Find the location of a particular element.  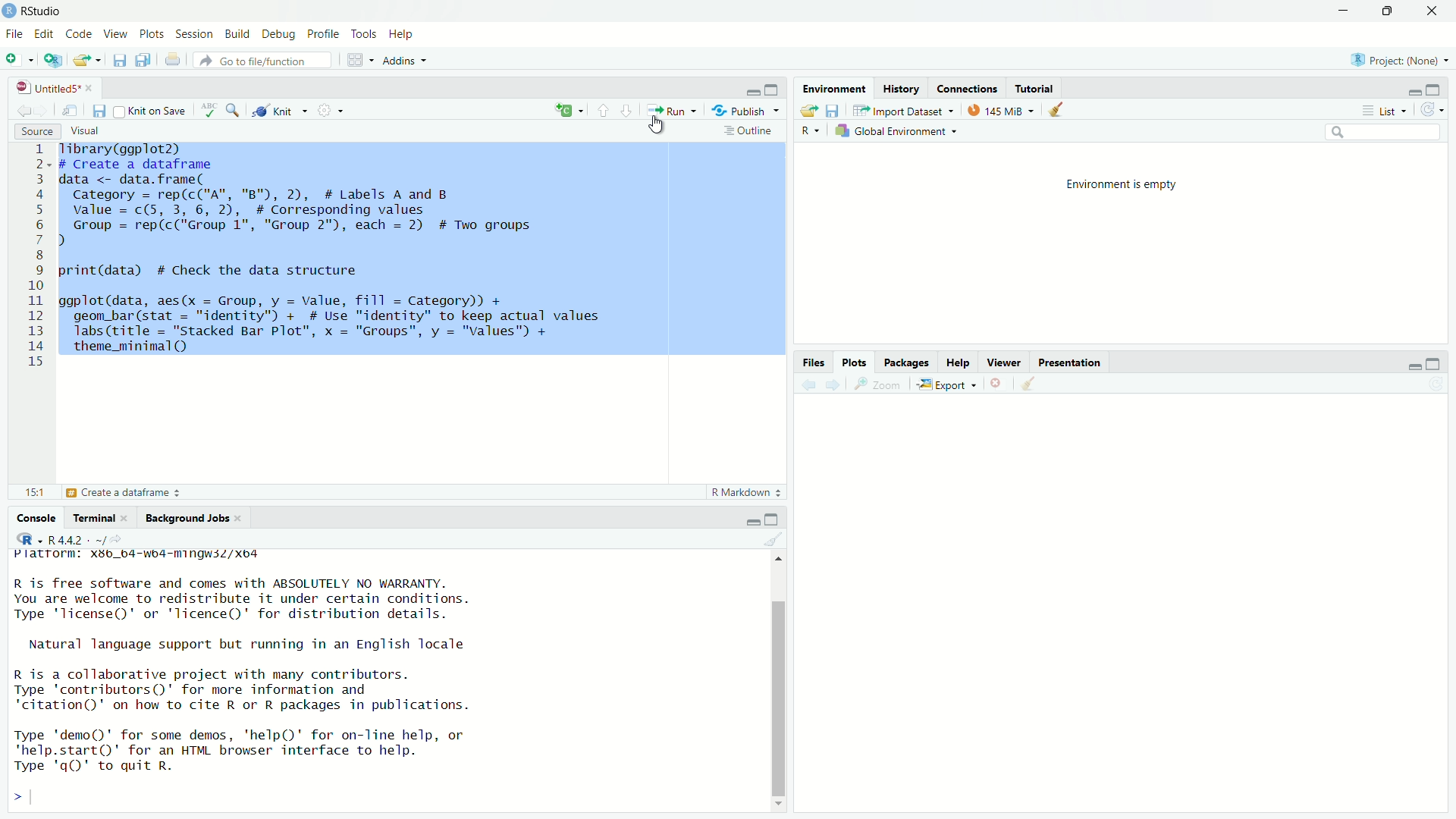

Go back to the previous source location (Ctrl + F9) is located at coordinates (802, 383).